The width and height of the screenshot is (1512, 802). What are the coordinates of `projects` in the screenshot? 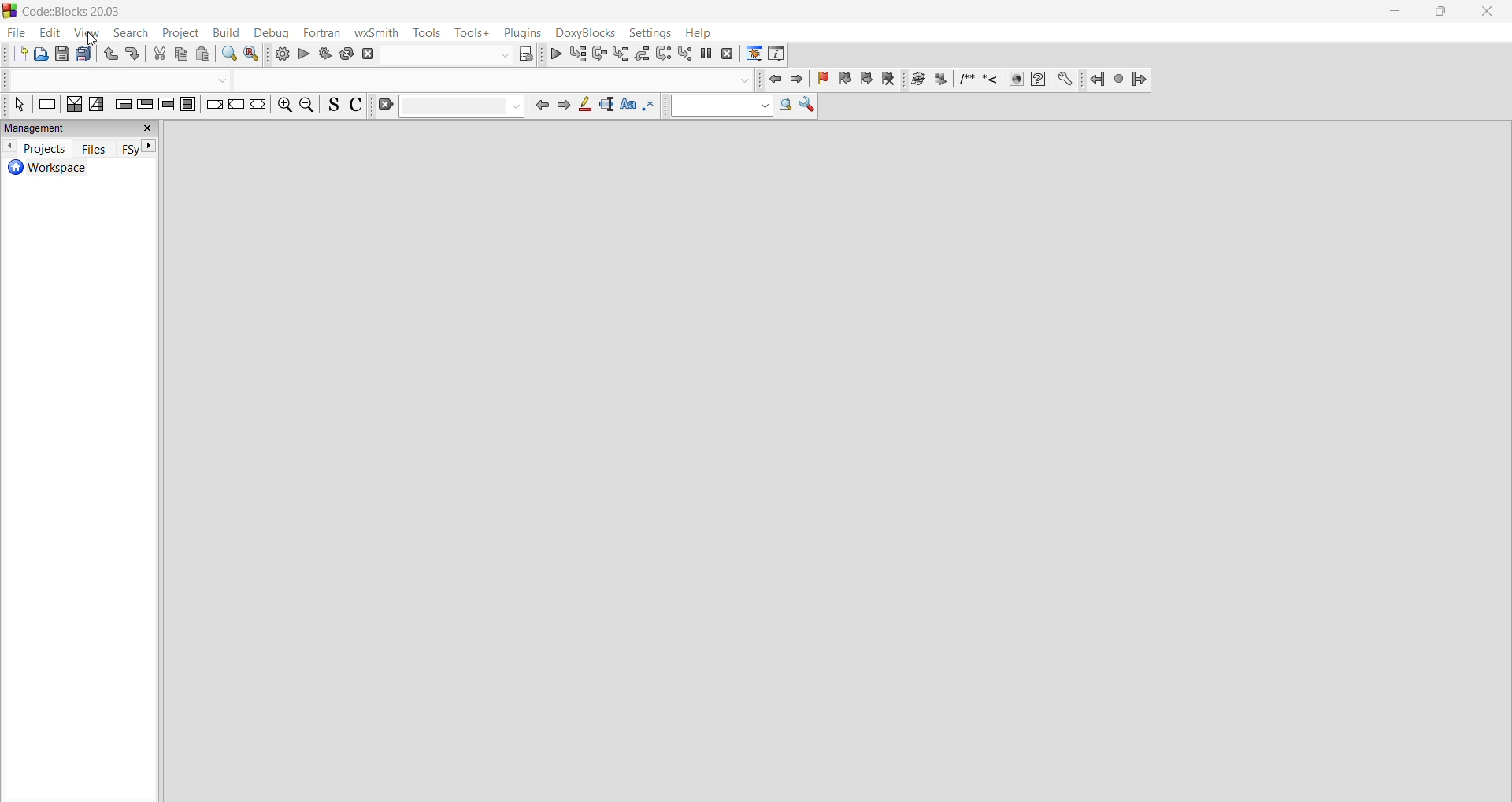 It's located at (43, 147).